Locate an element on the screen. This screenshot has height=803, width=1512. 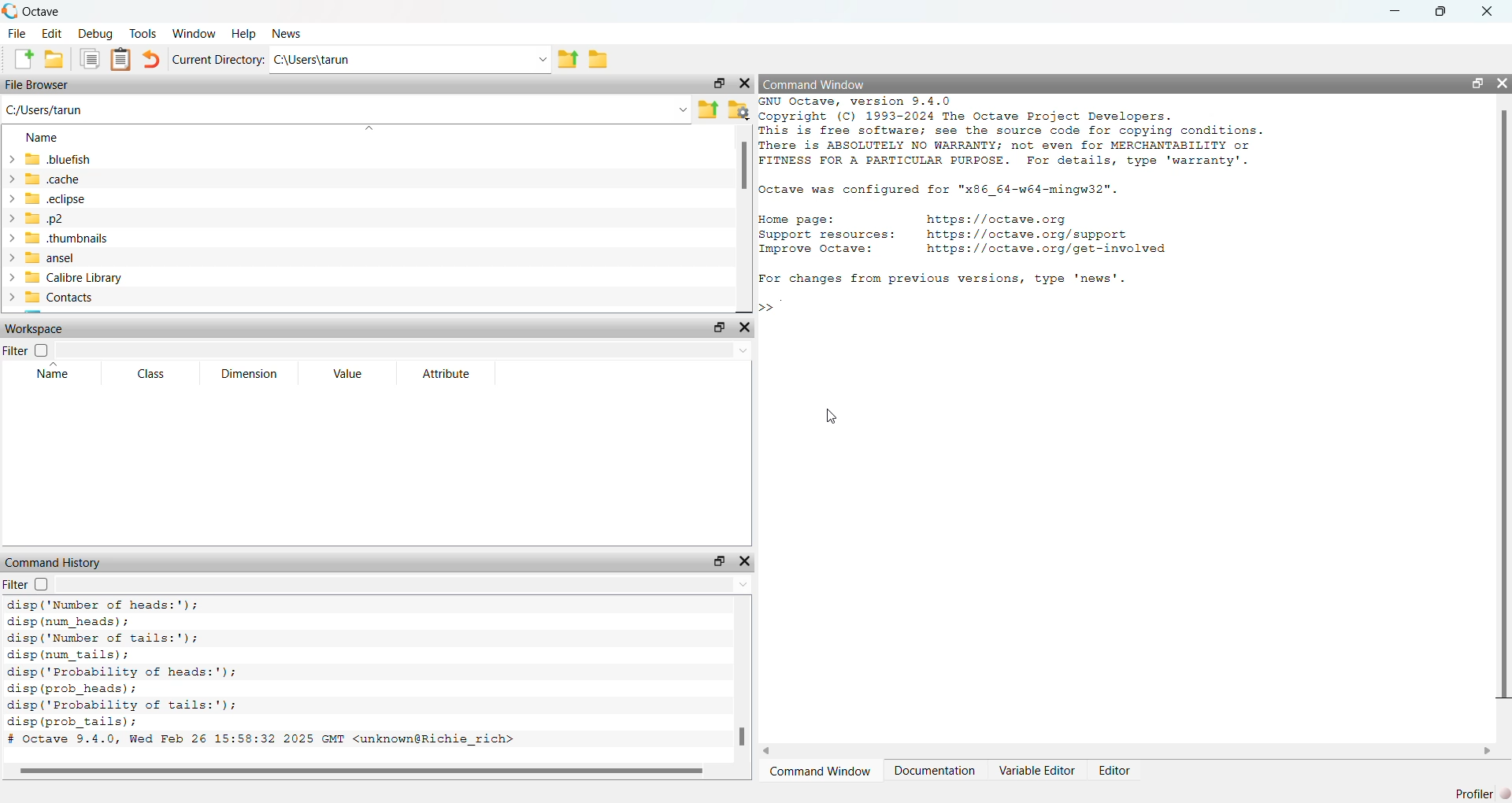
Calibre Library is located at coordinates (74, 278).